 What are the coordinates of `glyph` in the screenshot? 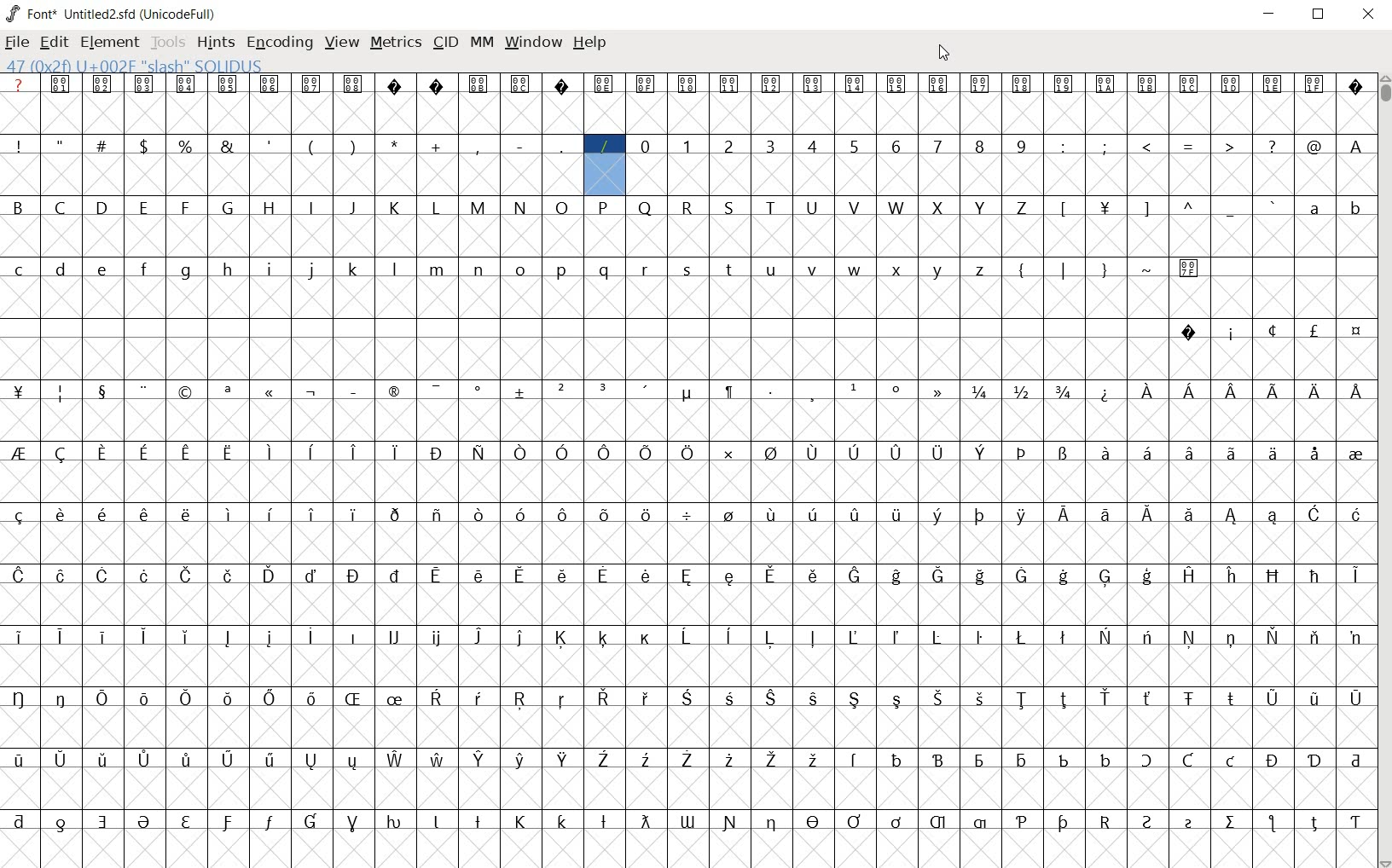 It's located at (1232, 392).